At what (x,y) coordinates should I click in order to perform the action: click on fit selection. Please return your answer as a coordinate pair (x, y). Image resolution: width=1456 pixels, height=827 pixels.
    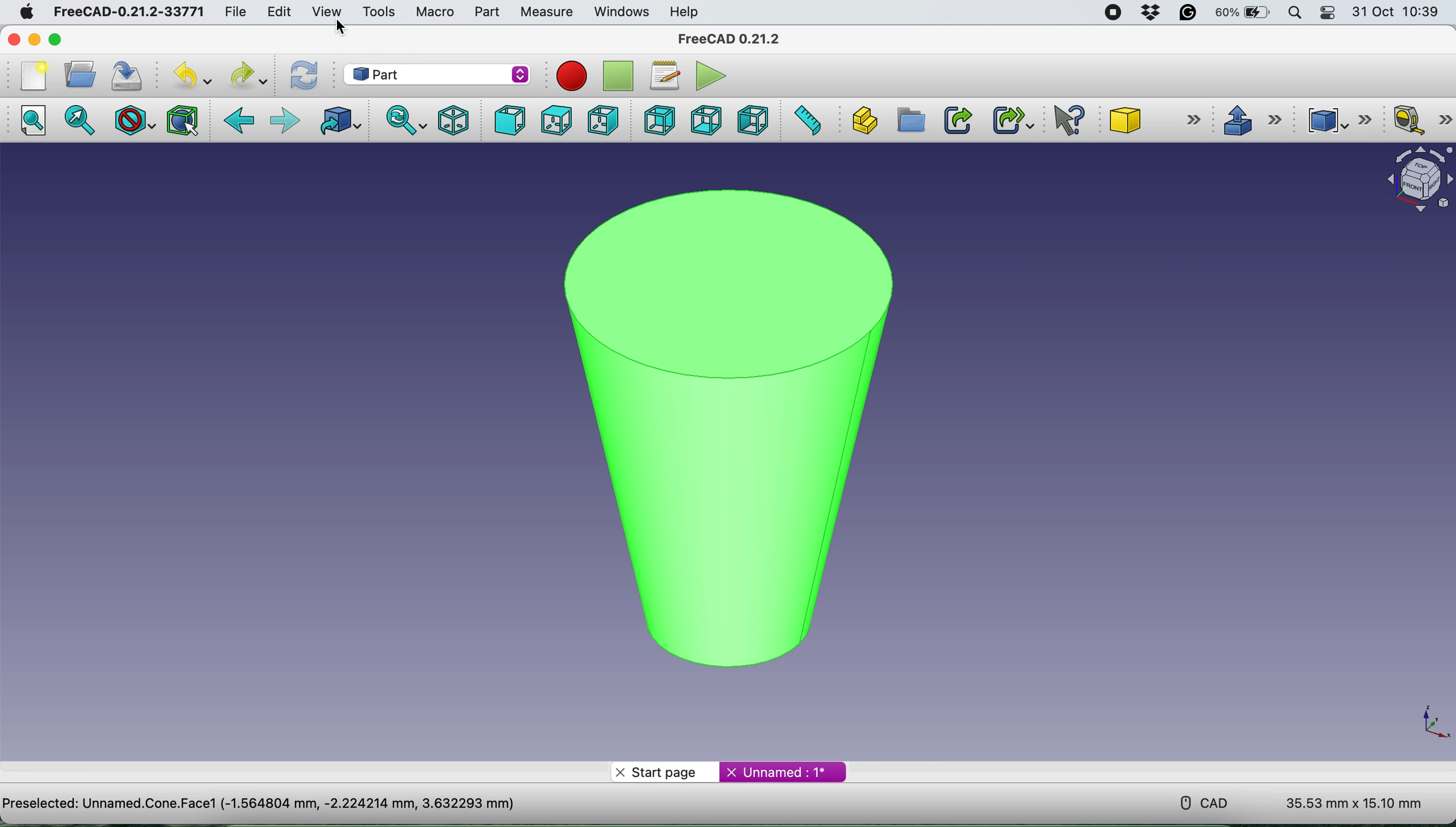
    Looking at the image, I should click on (83, 121).